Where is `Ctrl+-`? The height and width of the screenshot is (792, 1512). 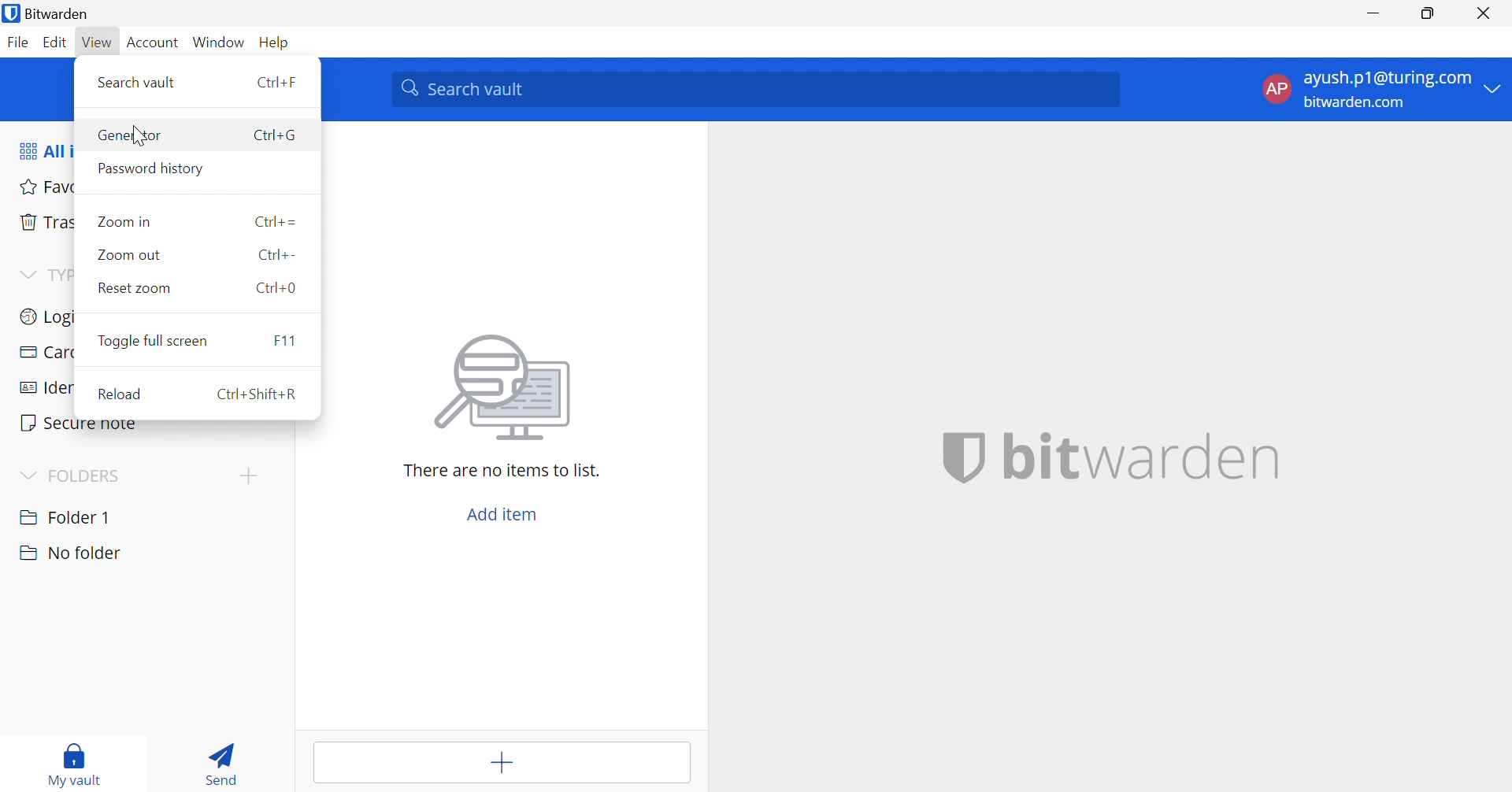
Ctrl+- is located at coordinates (277, 255).